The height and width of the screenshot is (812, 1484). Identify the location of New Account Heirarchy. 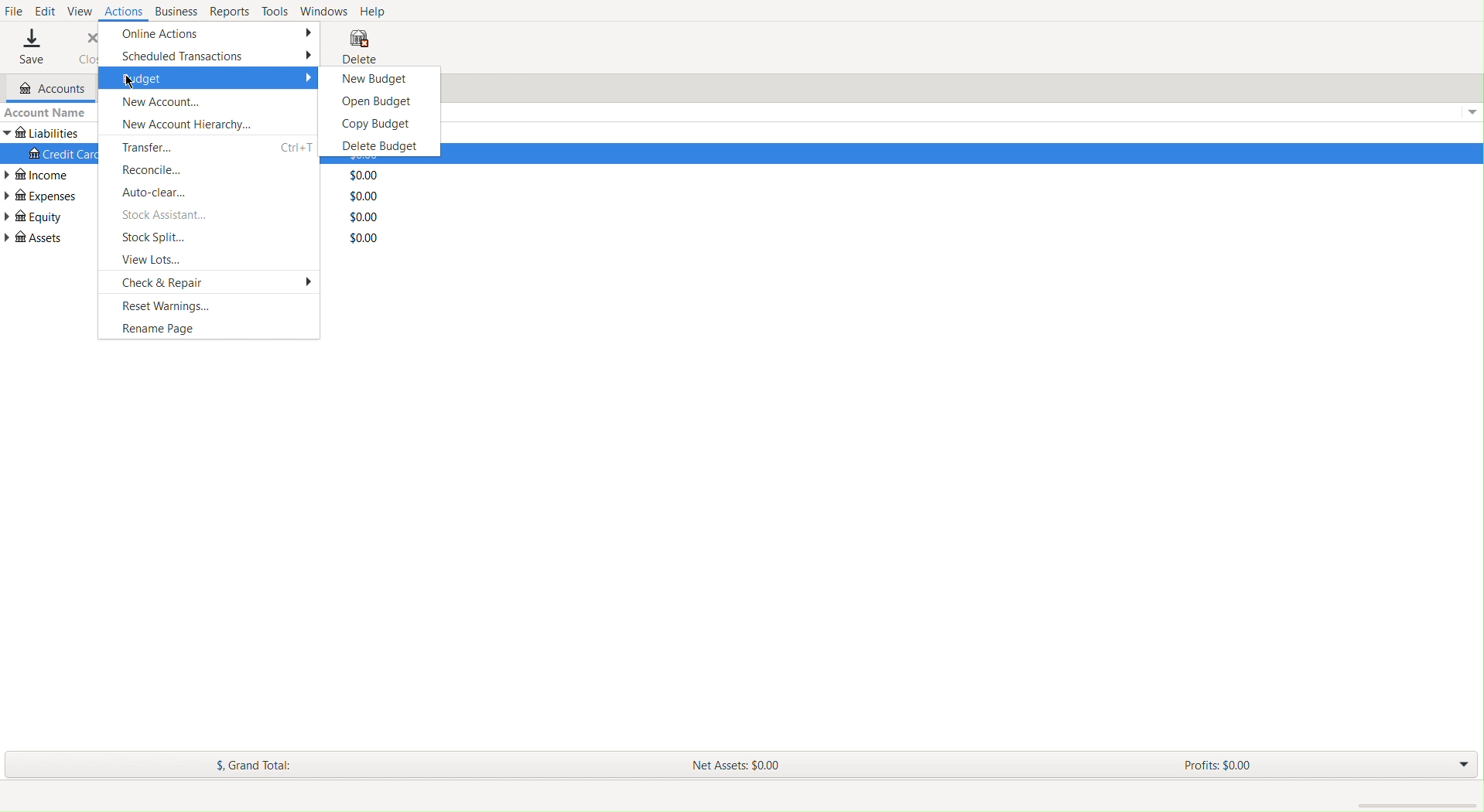
(181, 122).